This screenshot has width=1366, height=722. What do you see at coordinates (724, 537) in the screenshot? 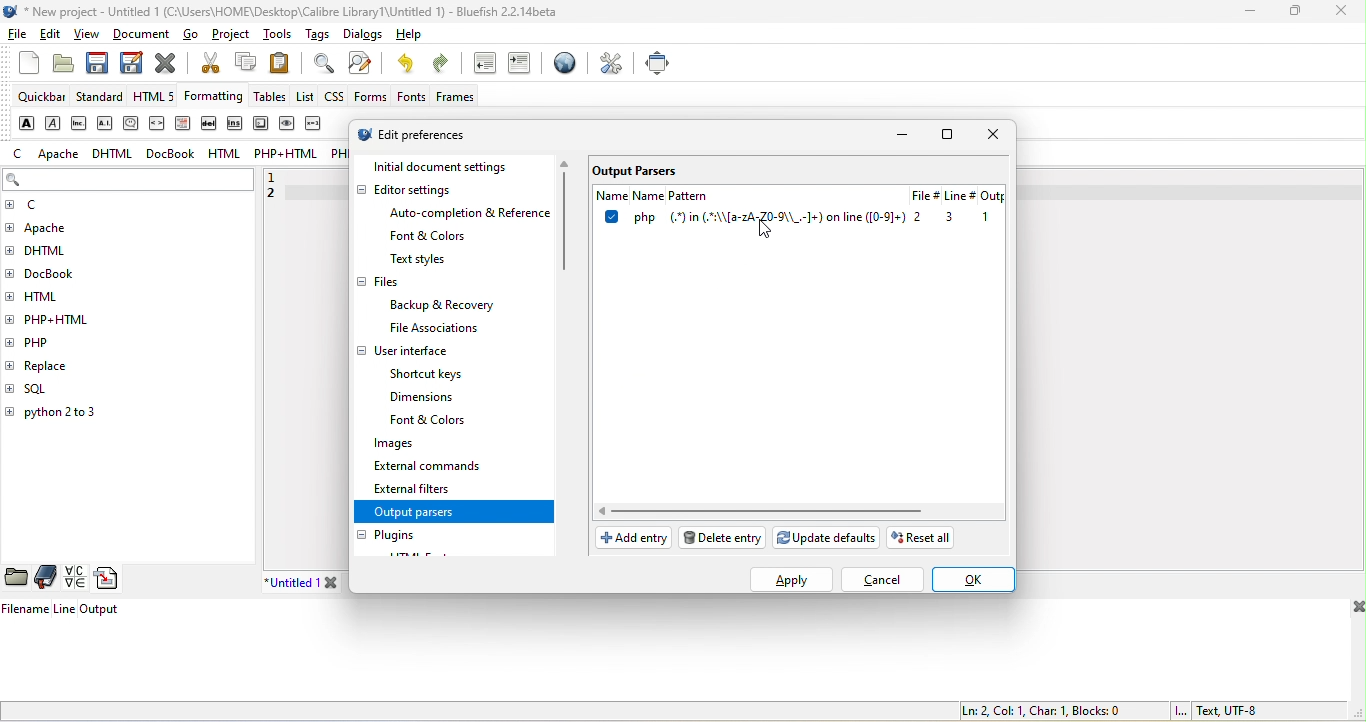
I see `delete entry` at bounding box center [724, 537].